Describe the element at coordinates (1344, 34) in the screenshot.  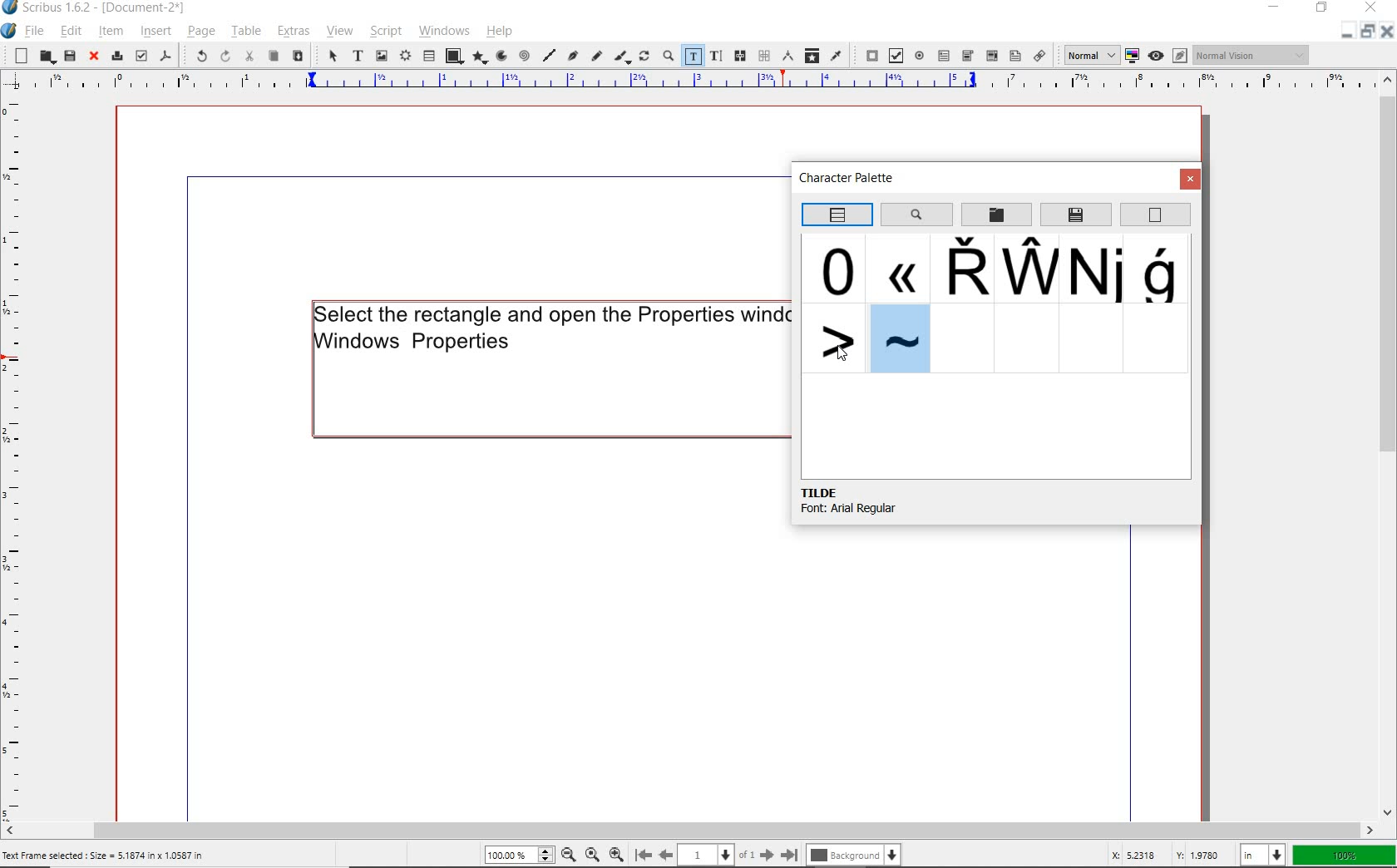
I see `minimise` at that location.